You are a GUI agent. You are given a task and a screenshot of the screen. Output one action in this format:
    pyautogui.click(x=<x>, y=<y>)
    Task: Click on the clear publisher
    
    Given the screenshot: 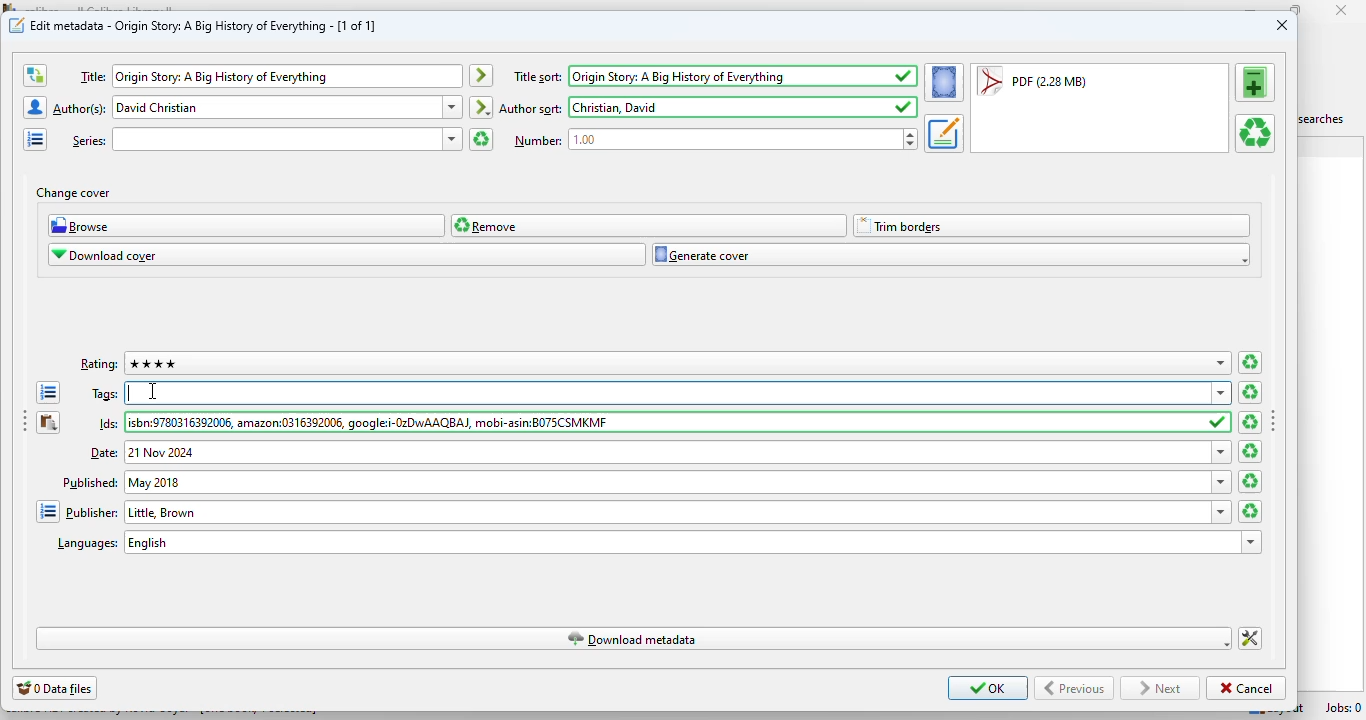 What is the action you would take?
    pyautogui.click(x=1250, y=511)
    